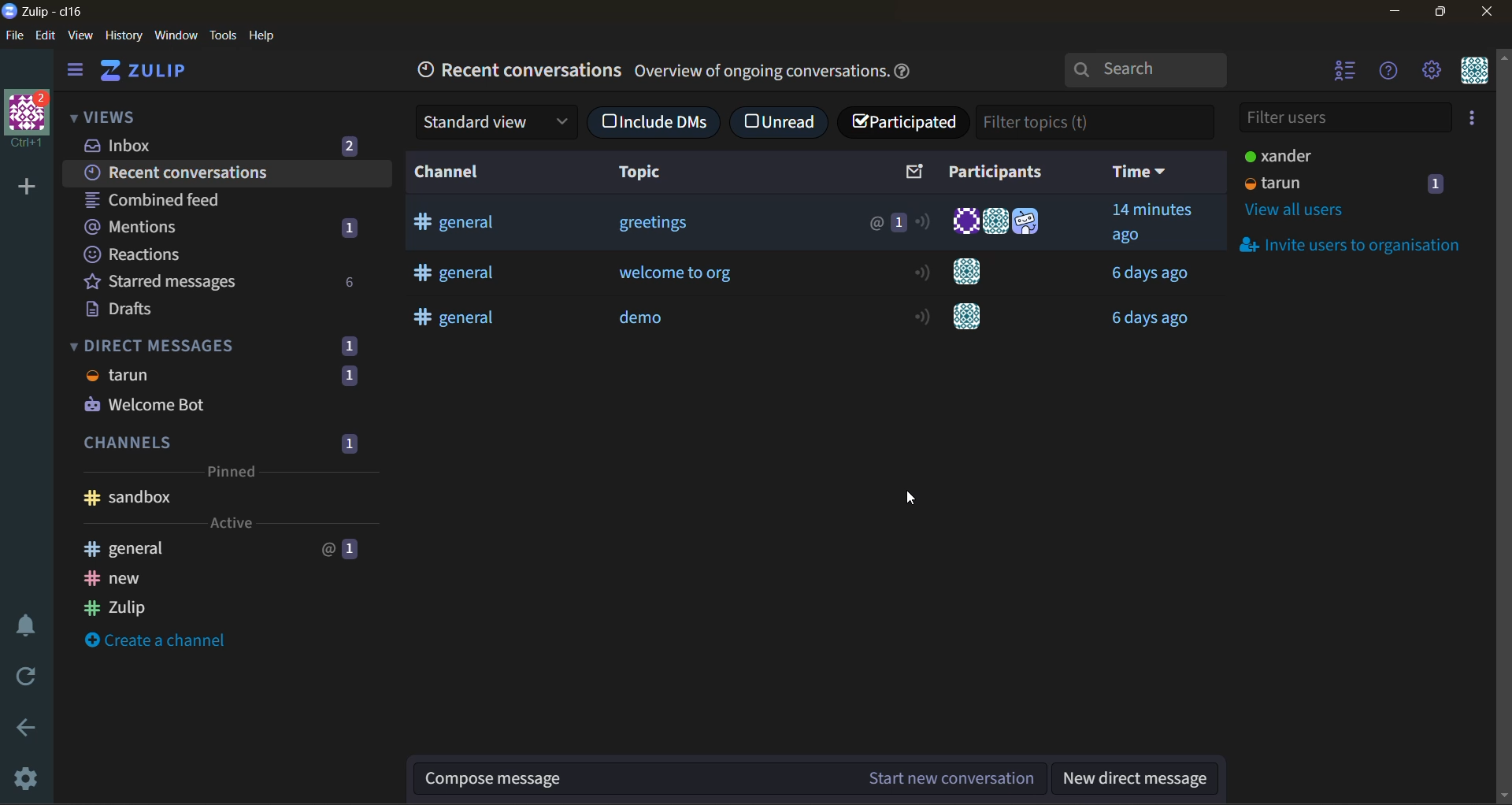 The image size is (1512, 805). I want to click on time, so click(1141, 169).